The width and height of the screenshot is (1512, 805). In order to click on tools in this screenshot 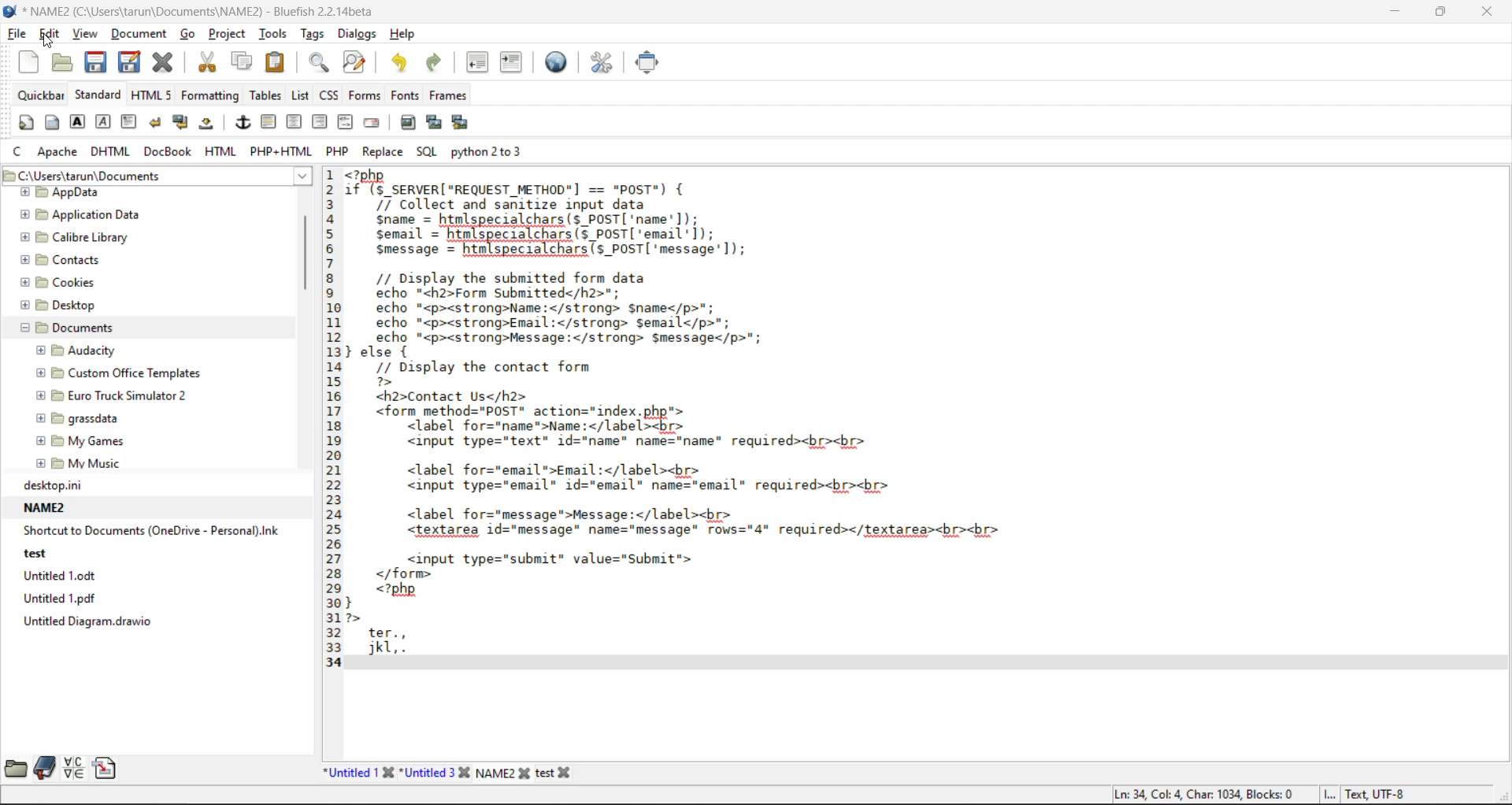, I will do `click(275, 35)`.